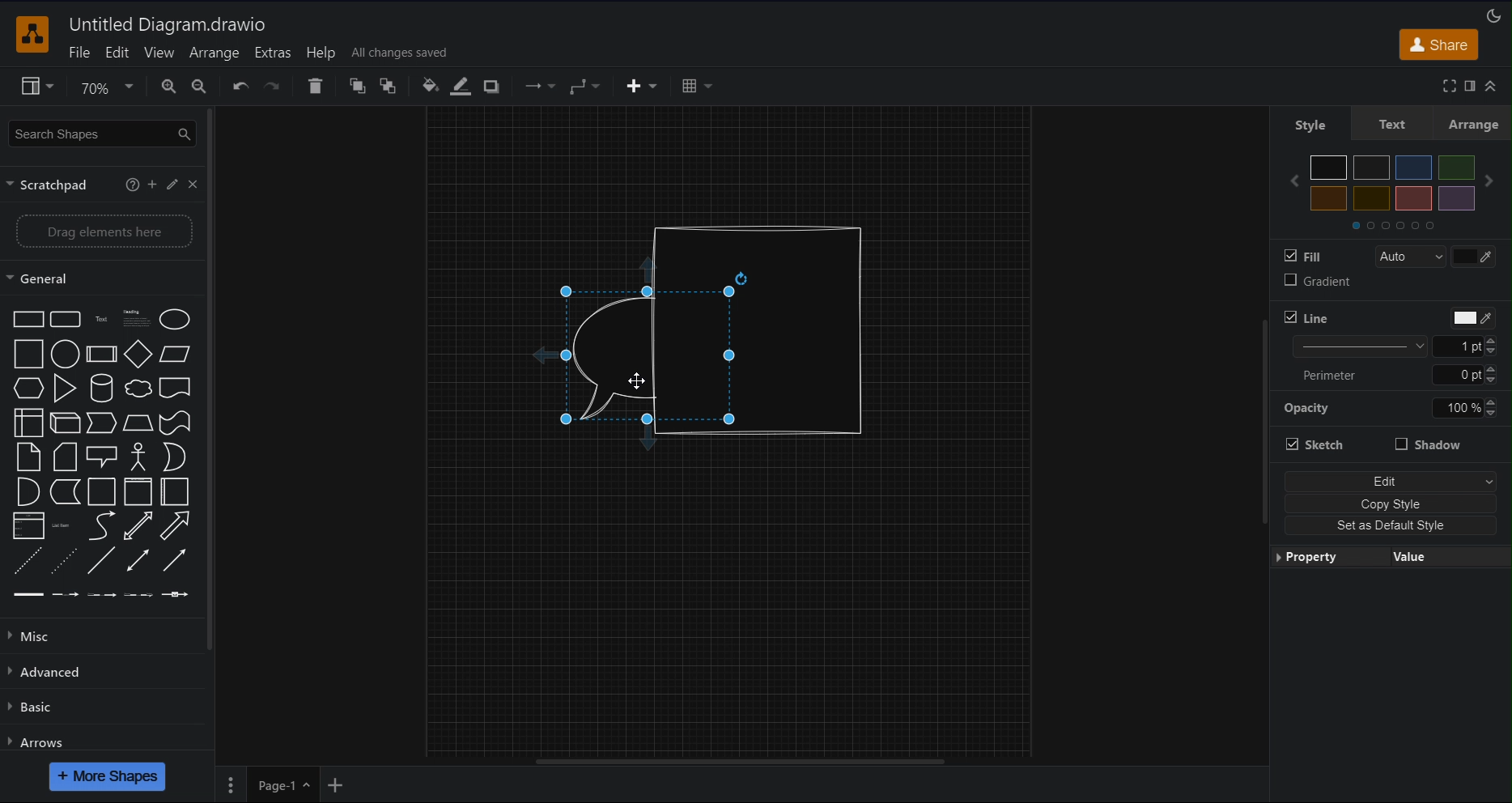  I want to click on Container, so click(102, 491).